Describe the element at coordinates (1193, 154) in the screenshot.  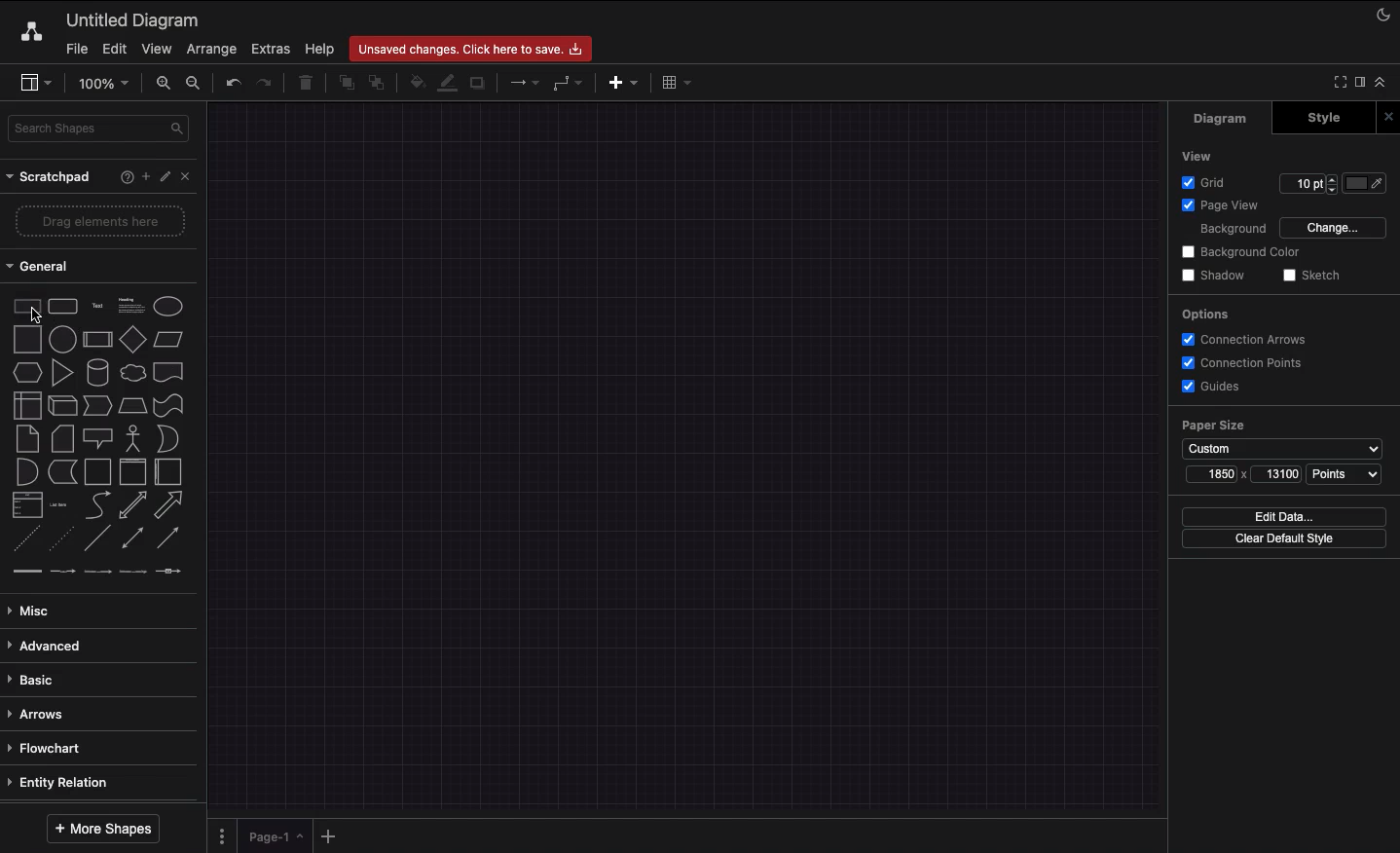
I see `View` at that location.